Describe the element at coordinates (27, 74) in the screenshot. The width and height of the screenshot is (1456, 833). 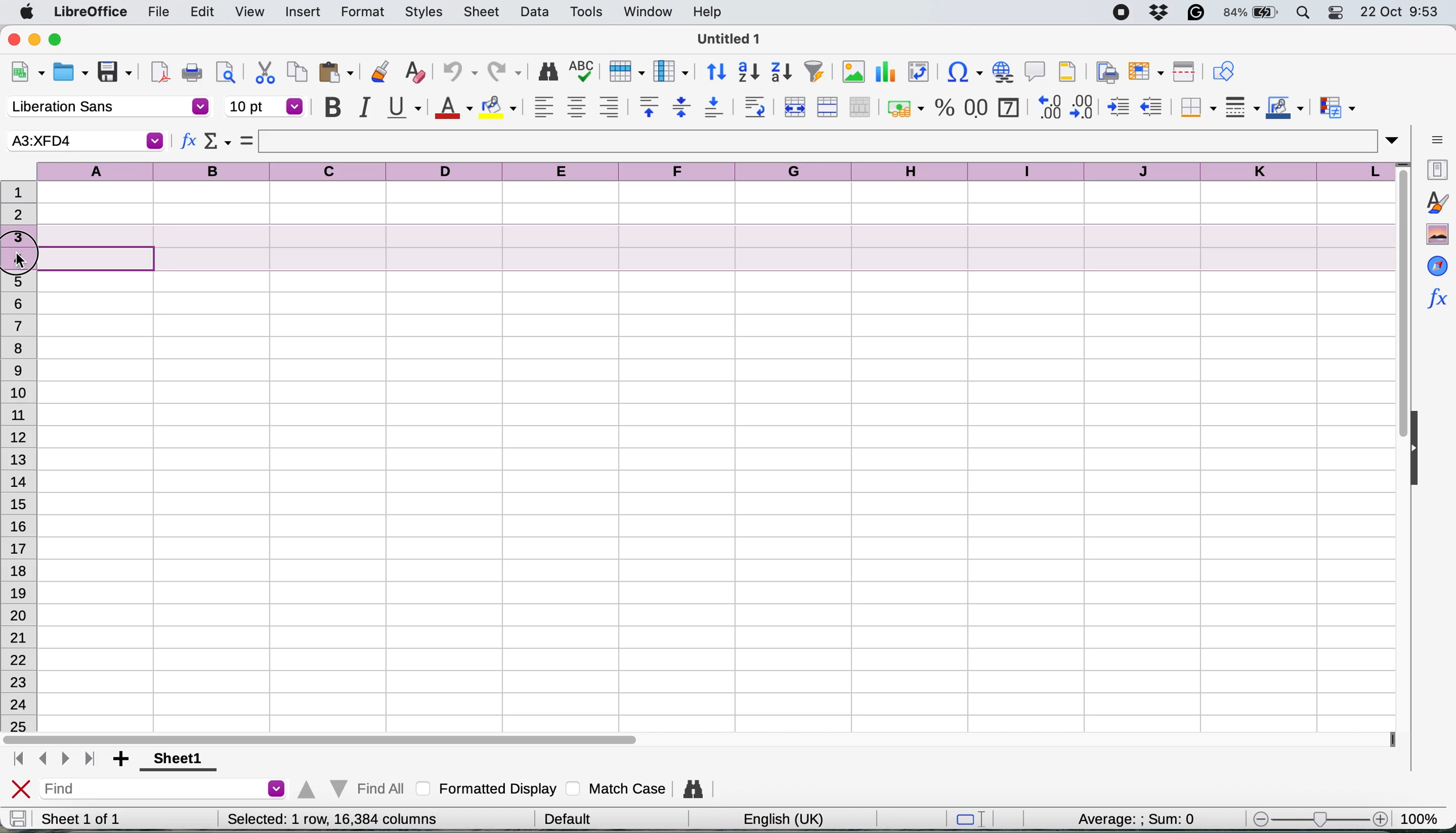
I see `new` at that location.